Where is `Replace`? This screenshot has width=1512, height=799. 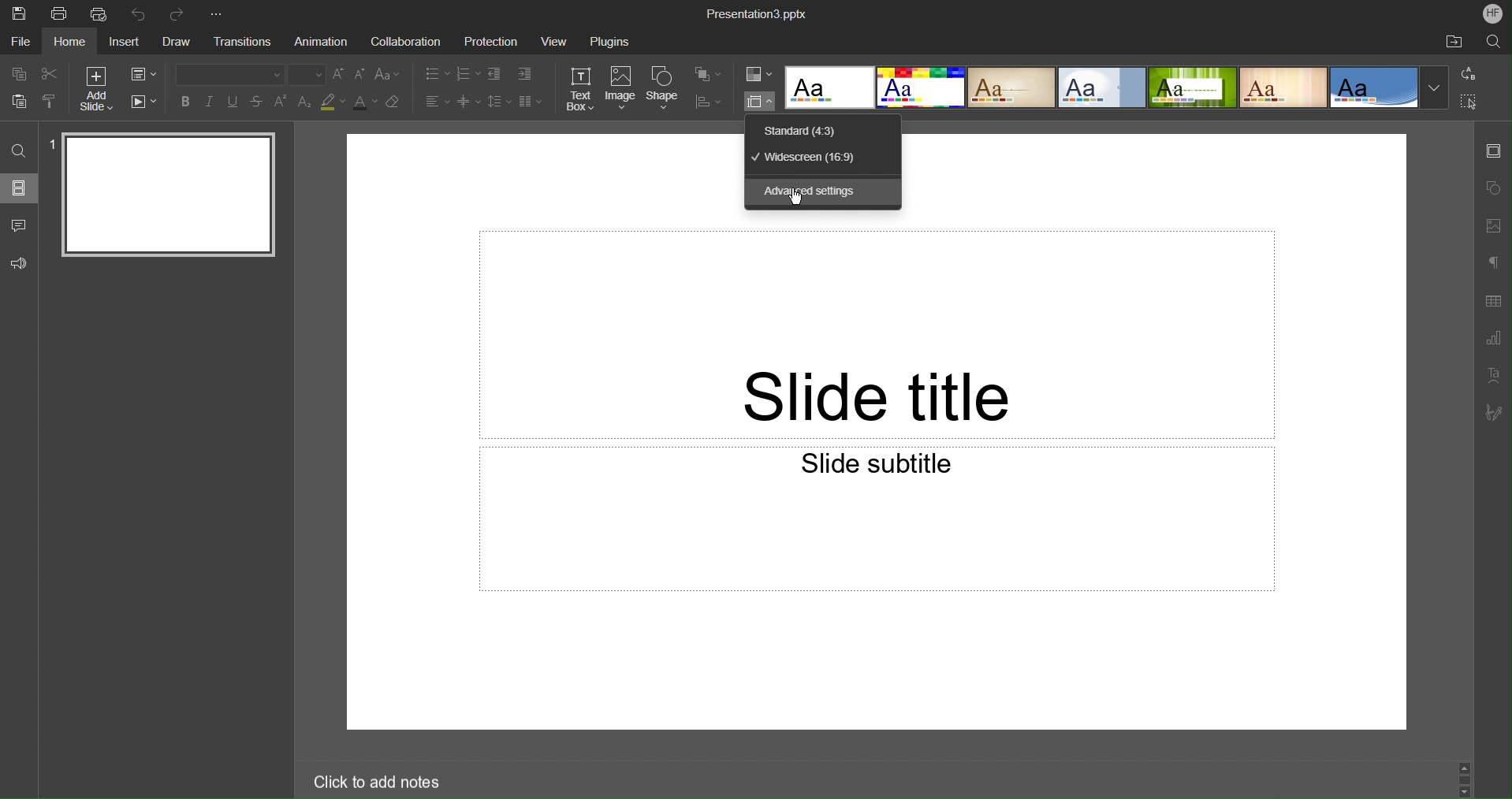
Replace is located at coordinates (1469, 73).